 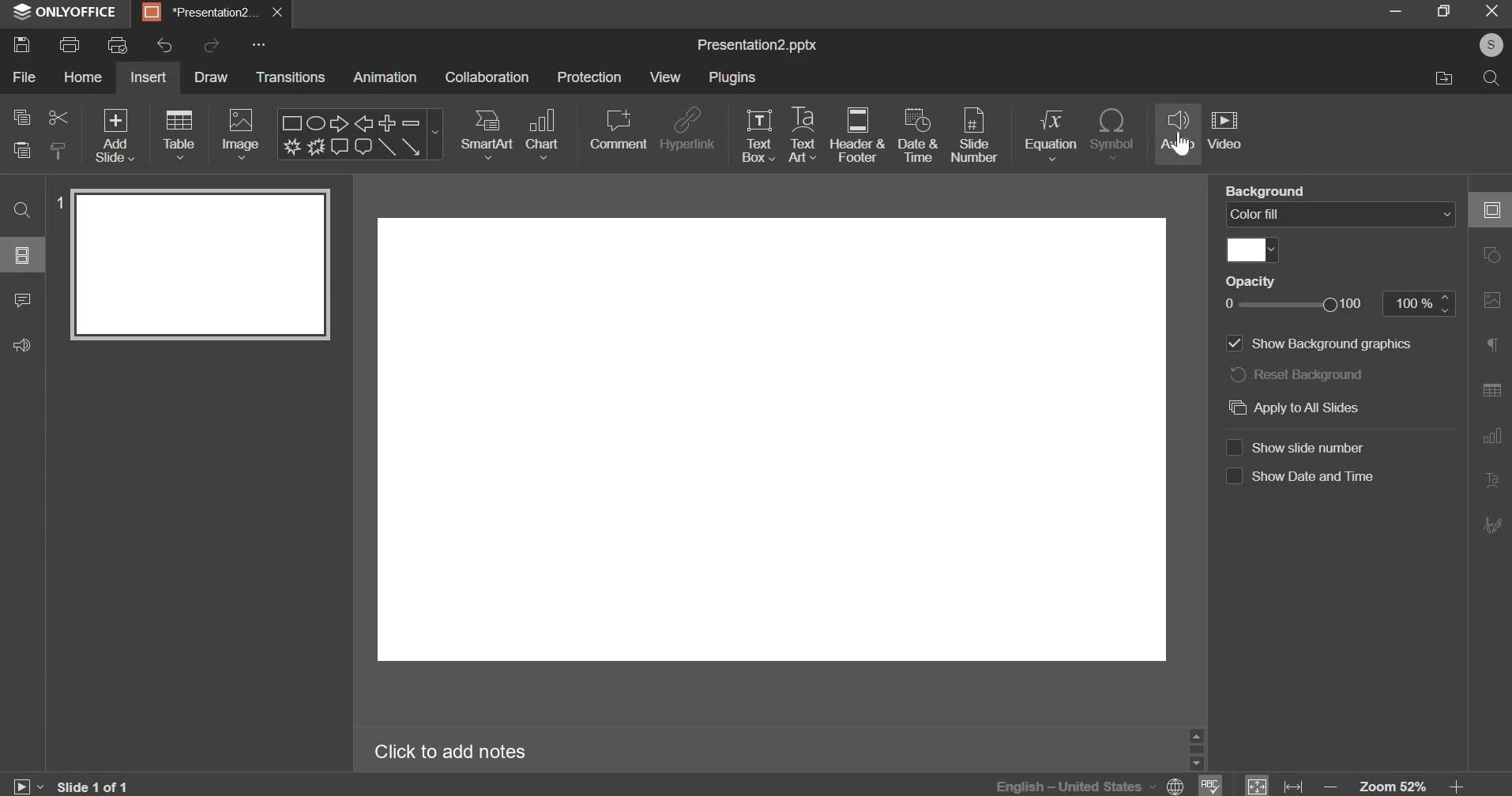 I want to click on scrollbar, so click(x=1196, y=749).